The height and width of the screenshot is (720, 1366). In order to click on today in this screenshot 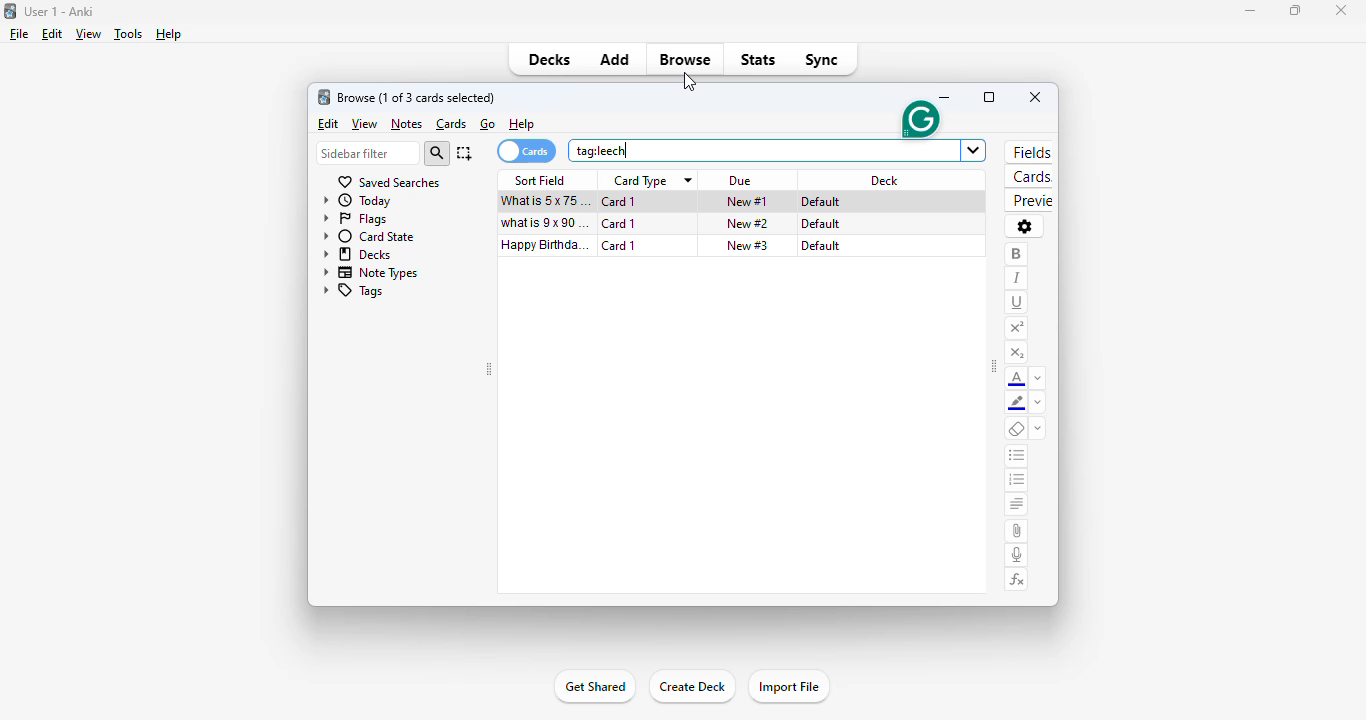, I will do `click(358, 201)`.